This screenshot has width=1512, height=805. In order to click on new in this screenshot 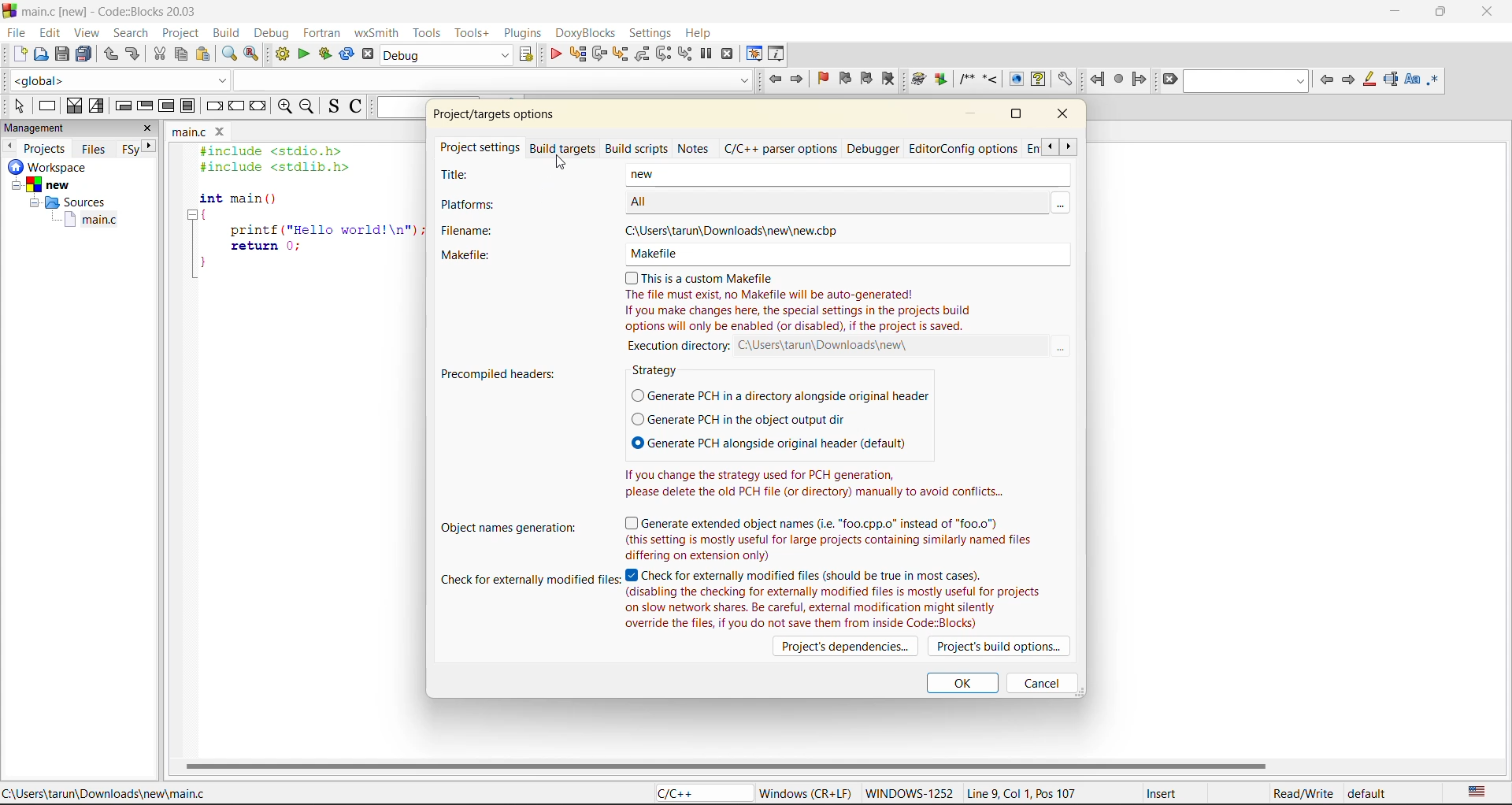, I will do `click(843, 176)`.